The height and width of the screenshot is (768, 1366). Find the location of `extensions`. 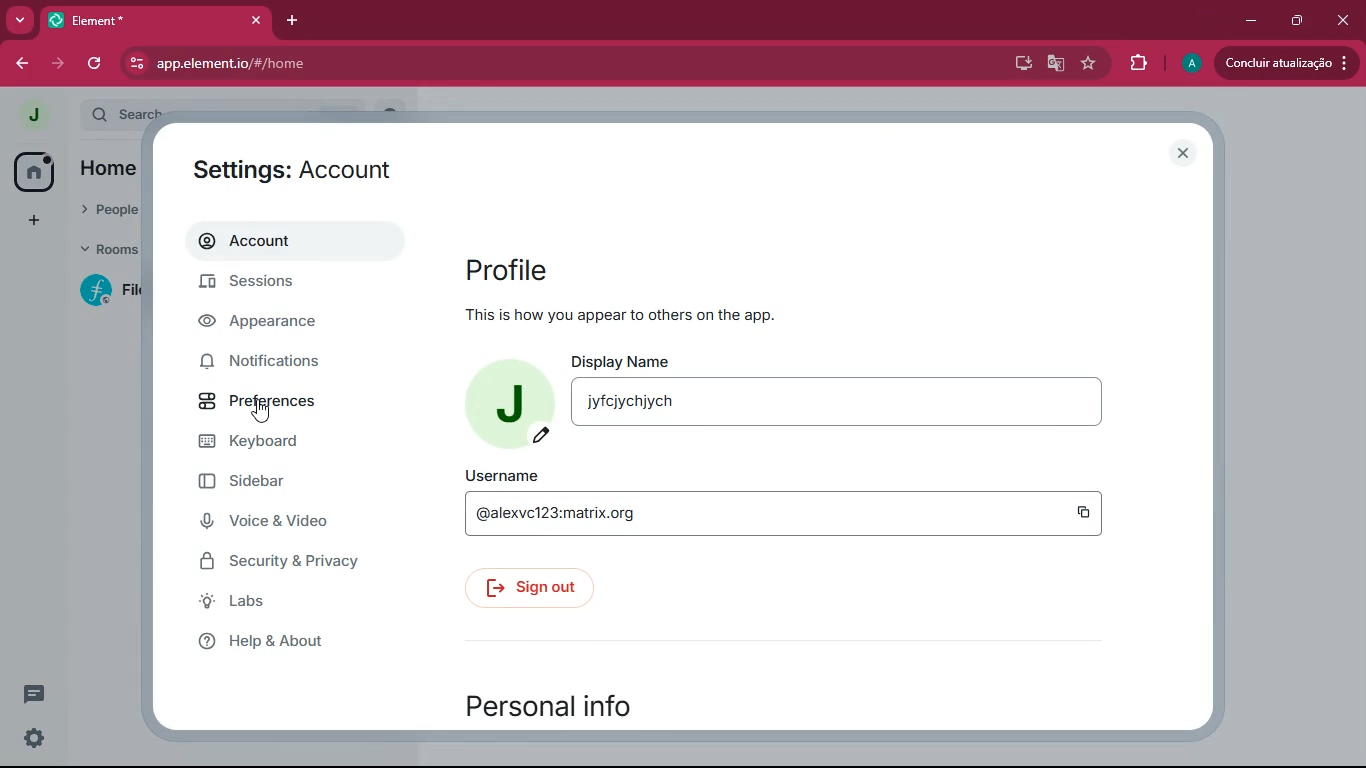

extensions is located at coordinates (1135, 63).